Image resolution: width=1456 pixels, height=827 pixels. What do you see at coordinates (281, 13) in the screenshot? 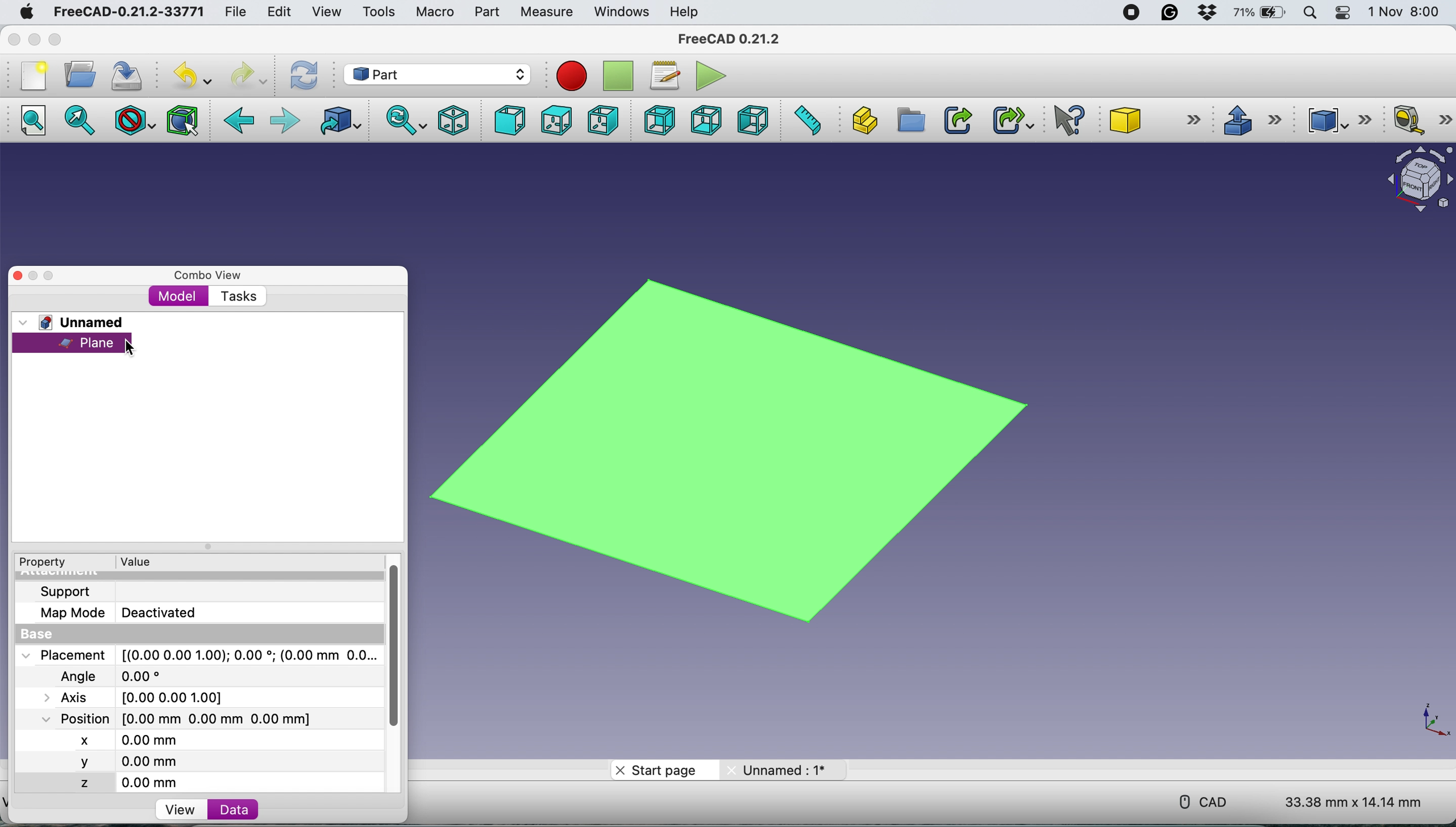
I see `edit` at bounding box center [281, 13].